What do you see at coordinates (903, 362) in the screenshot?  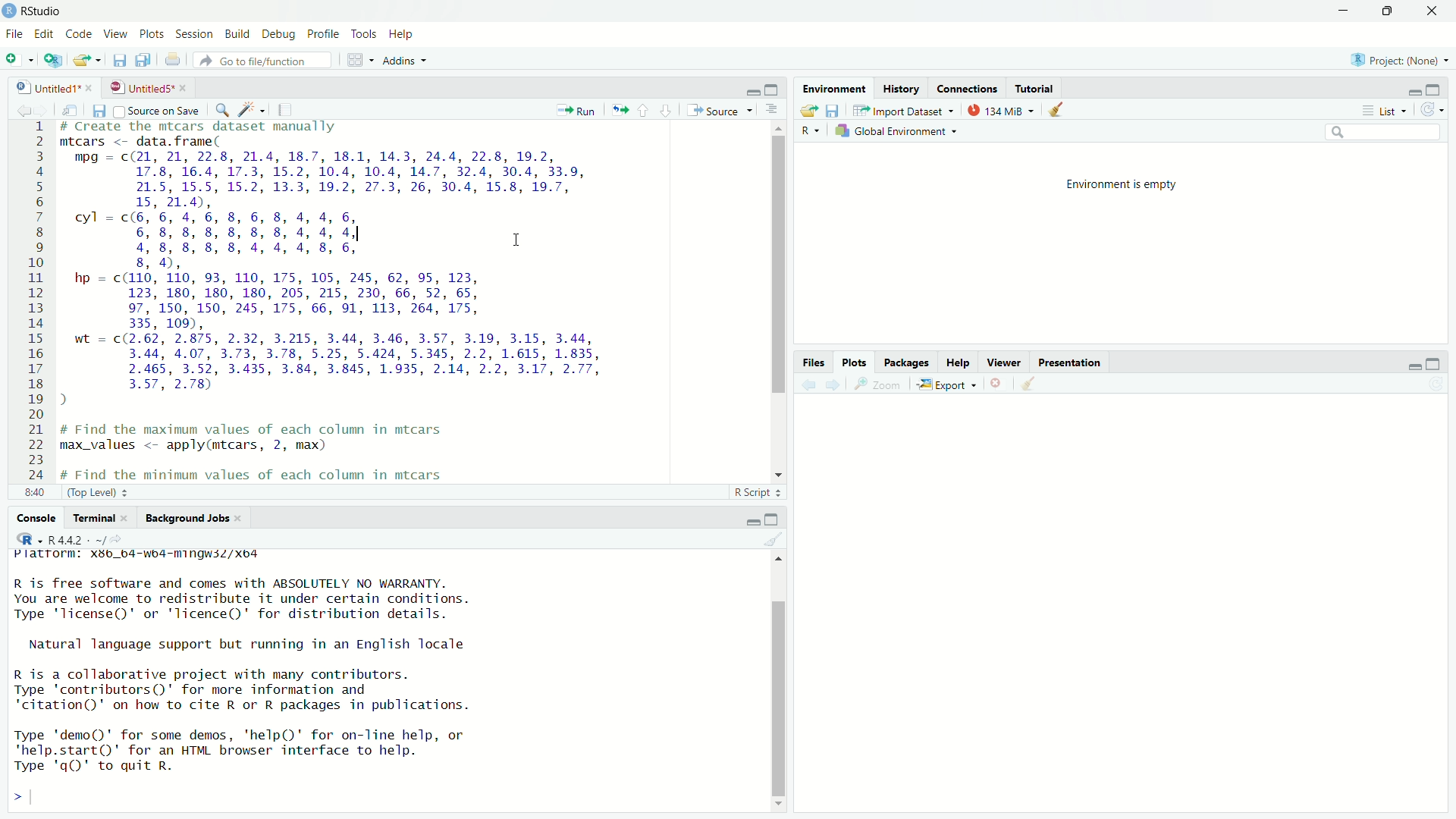 I see `Packages` at bounding box center [903, 362].